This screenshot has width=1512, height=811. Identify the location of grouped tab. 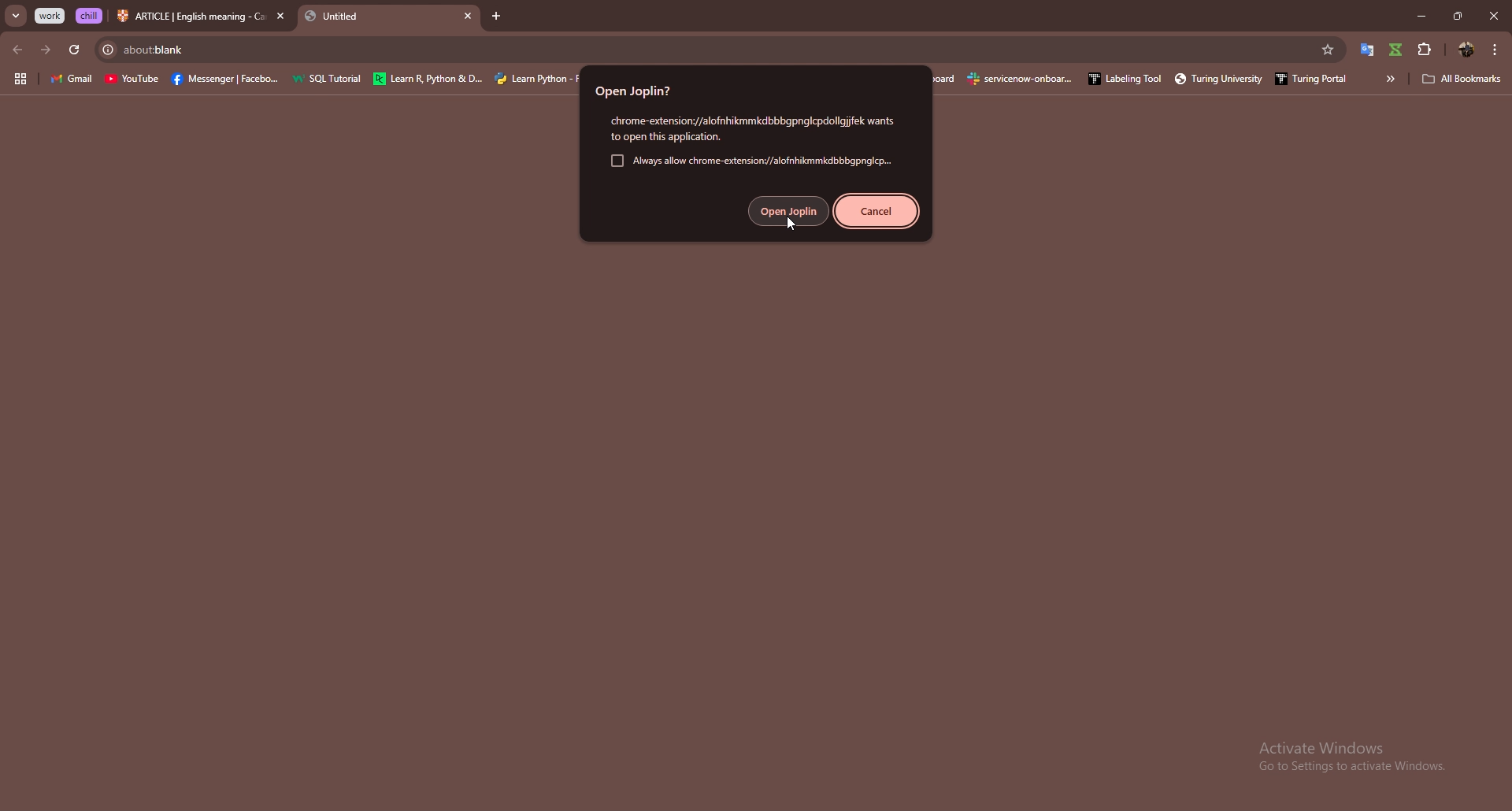
(51, 16).